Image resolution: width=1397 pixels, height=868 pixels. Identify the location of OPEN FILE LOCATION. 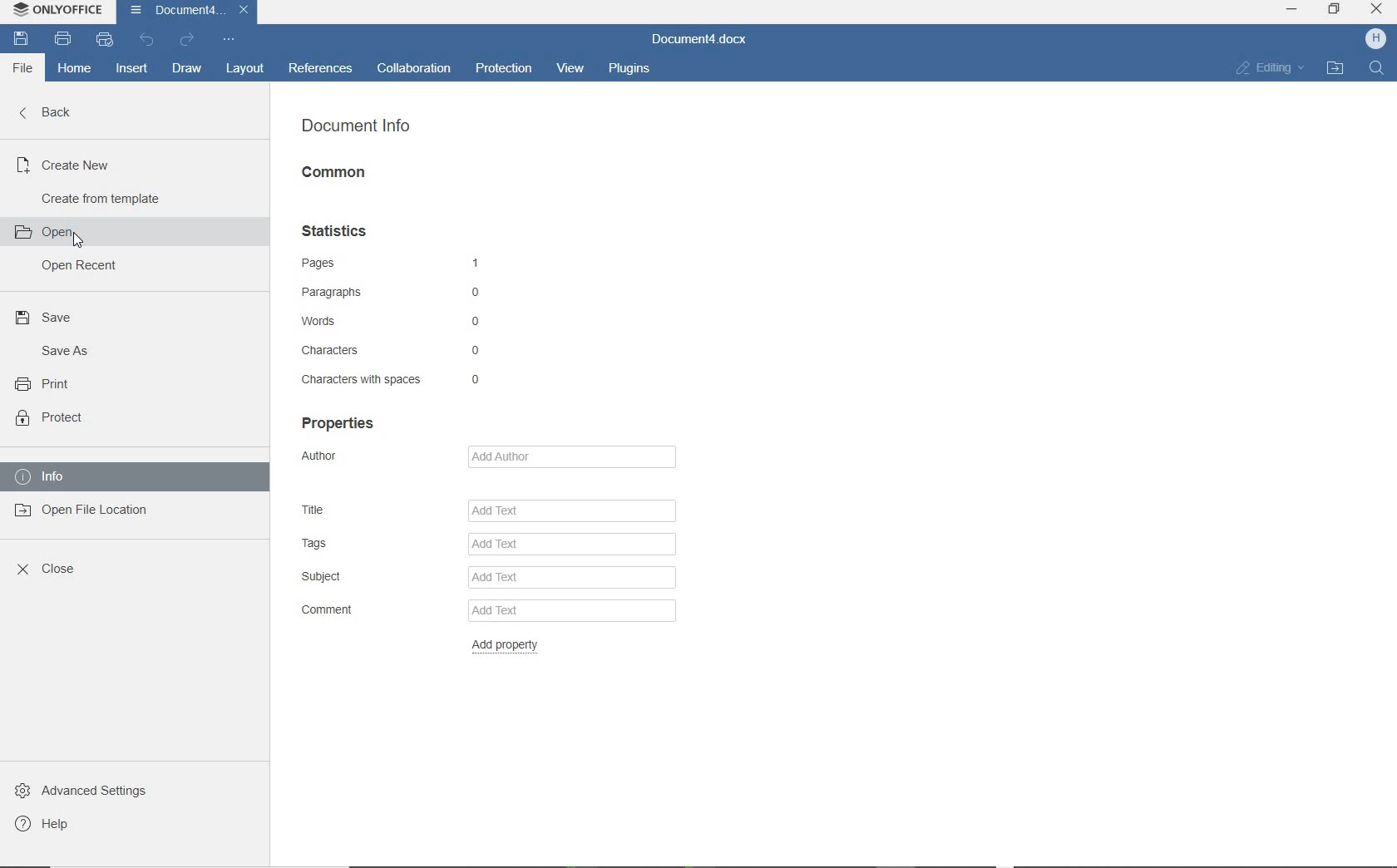
(1336, 67).